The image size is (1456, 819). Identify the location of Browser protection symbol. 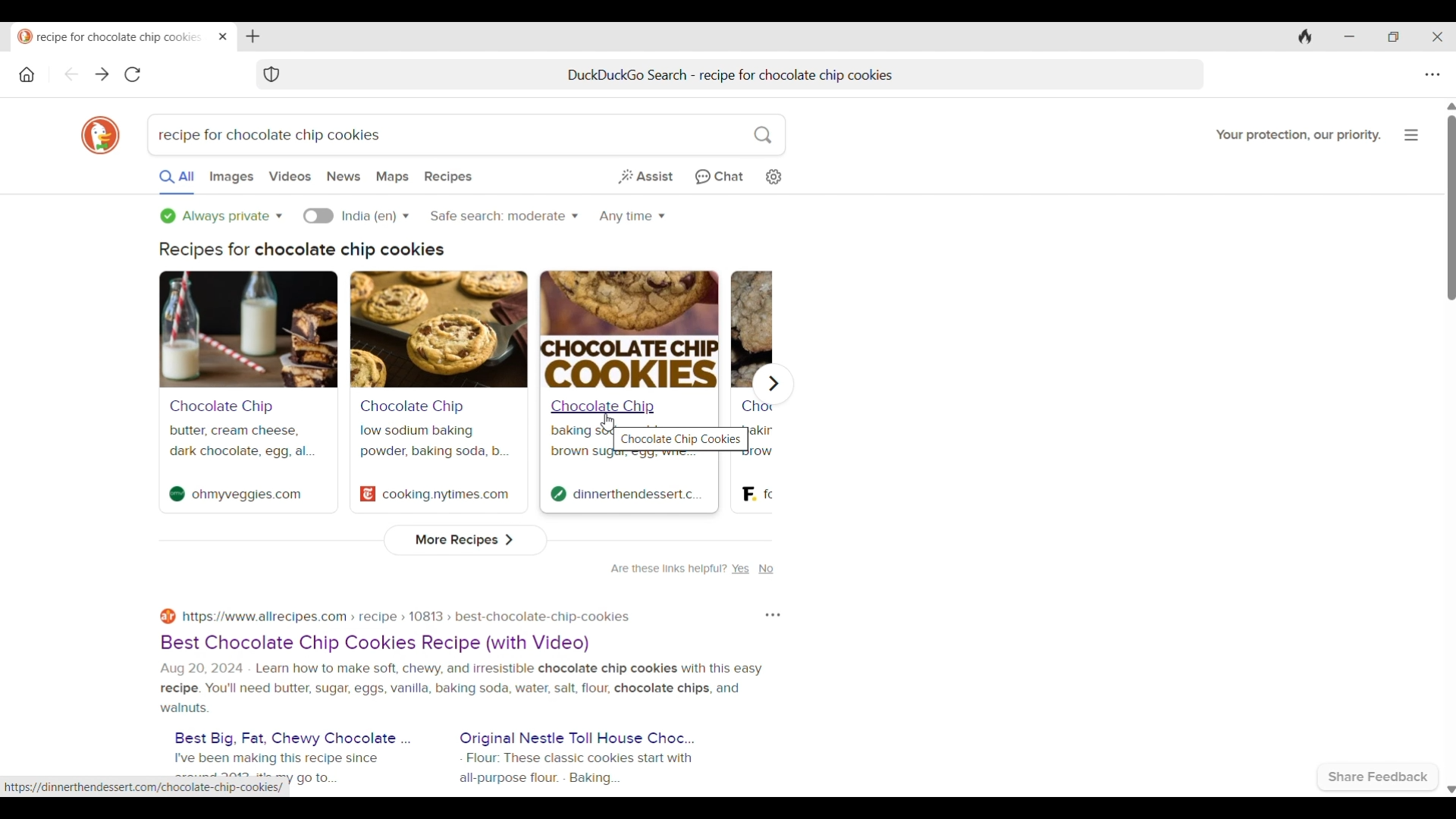
(271, 74).